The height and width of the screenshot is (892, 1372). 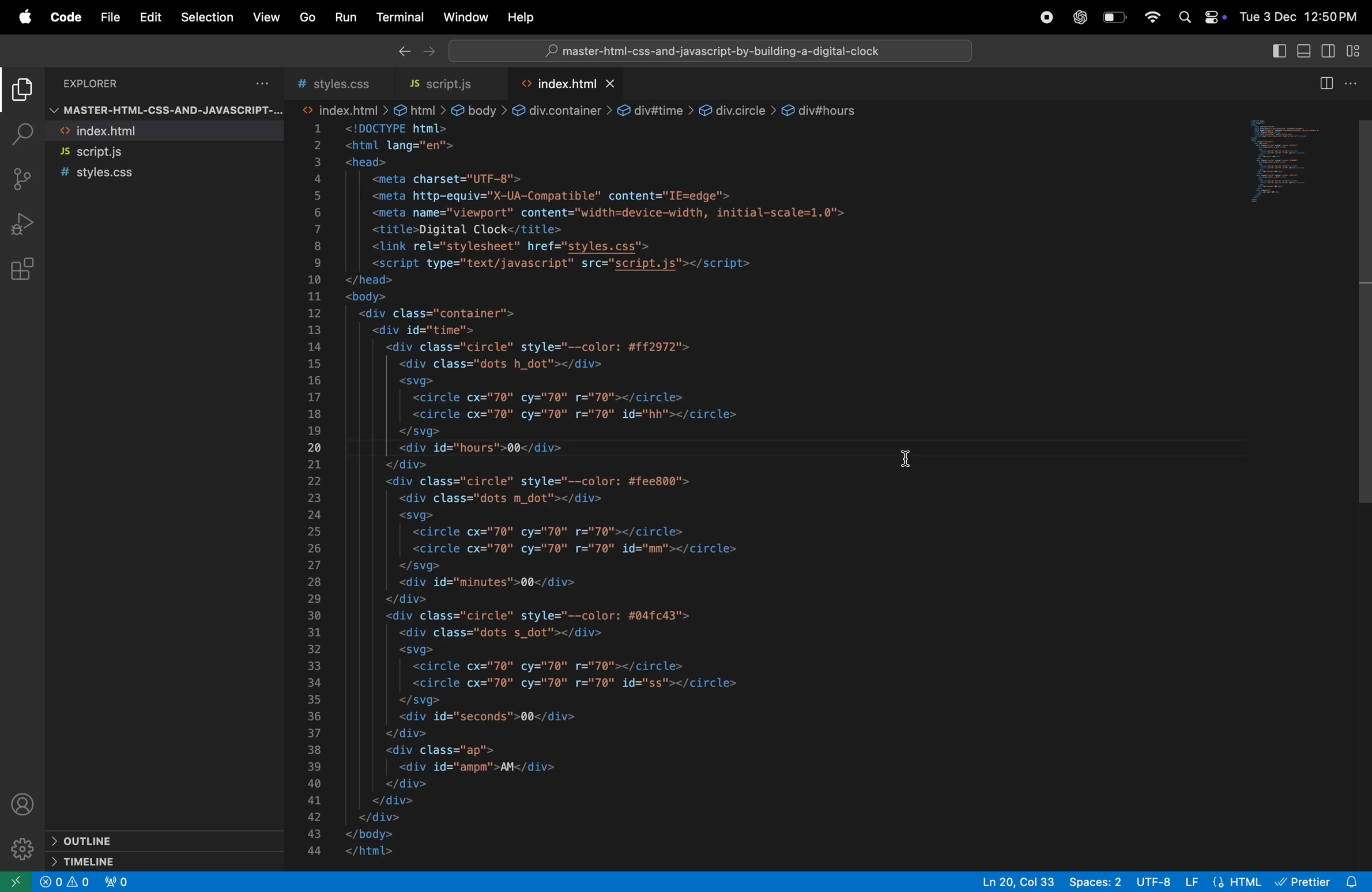 I want to click on searchbar, so click(x=710, y=50).